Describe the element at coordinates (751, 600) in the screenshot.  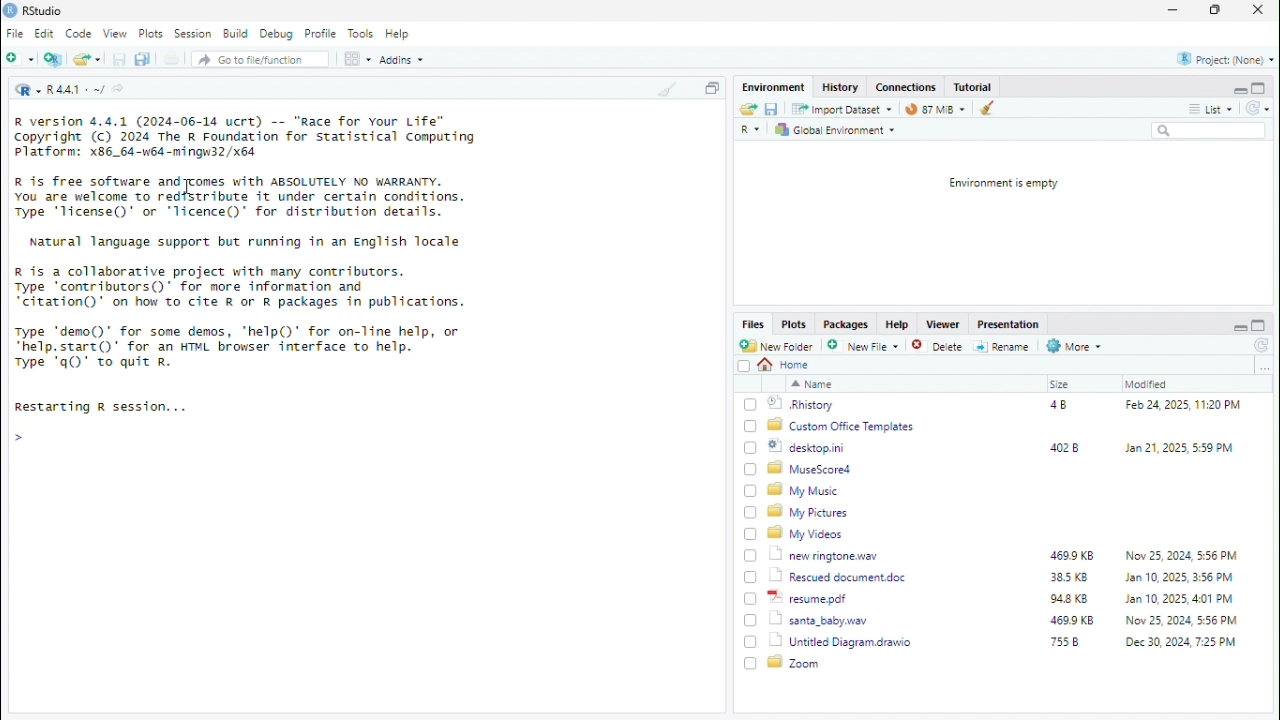
I see `Checkbox` at that location.